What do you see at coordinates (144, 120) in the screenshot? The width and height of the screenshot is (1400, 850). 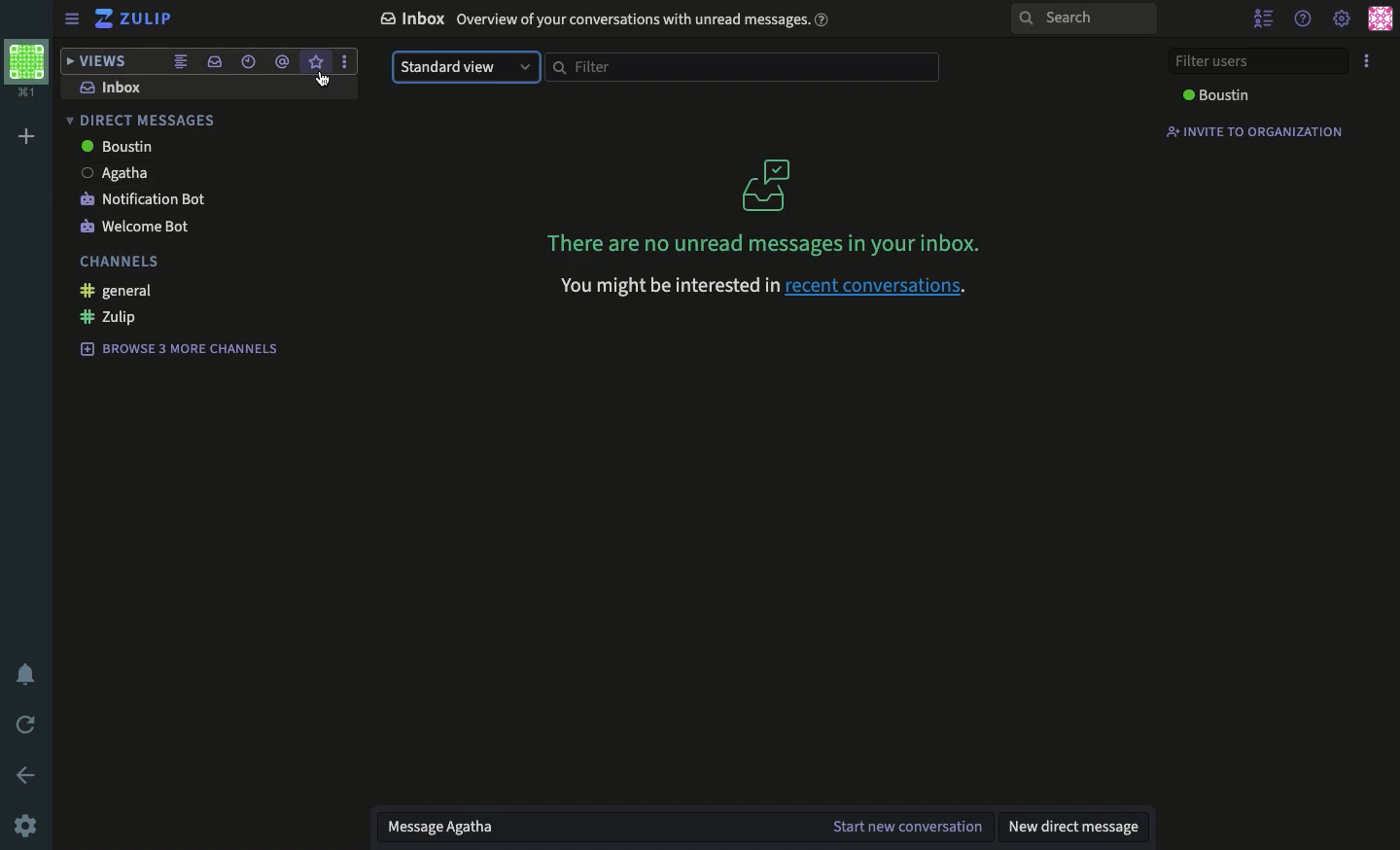 I see `direct messages` at bounding box center [144, 120].